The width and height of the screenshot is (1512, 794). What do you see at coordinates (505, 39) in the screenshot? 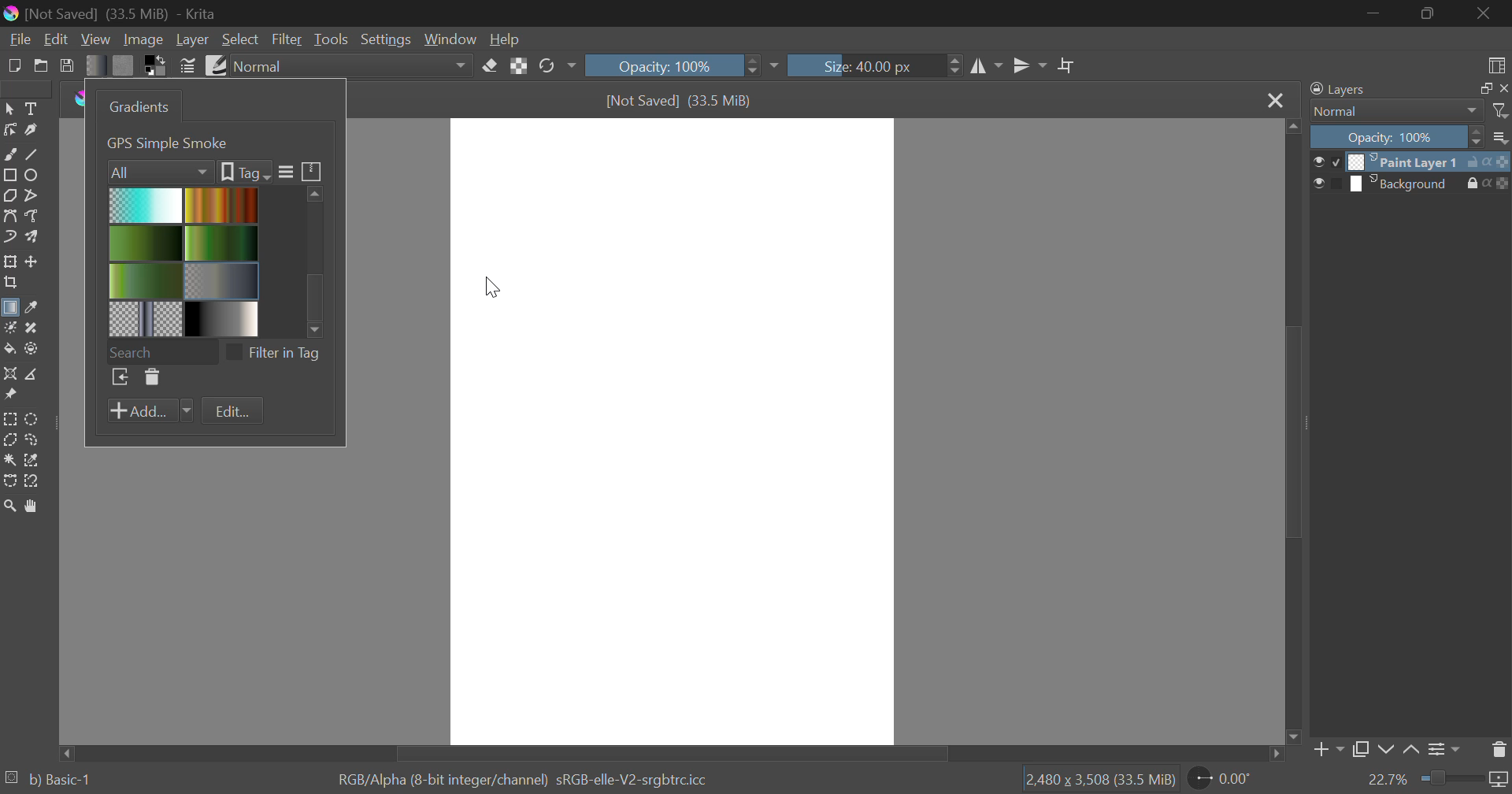
I see `Help` at bounding box center [505, 39].